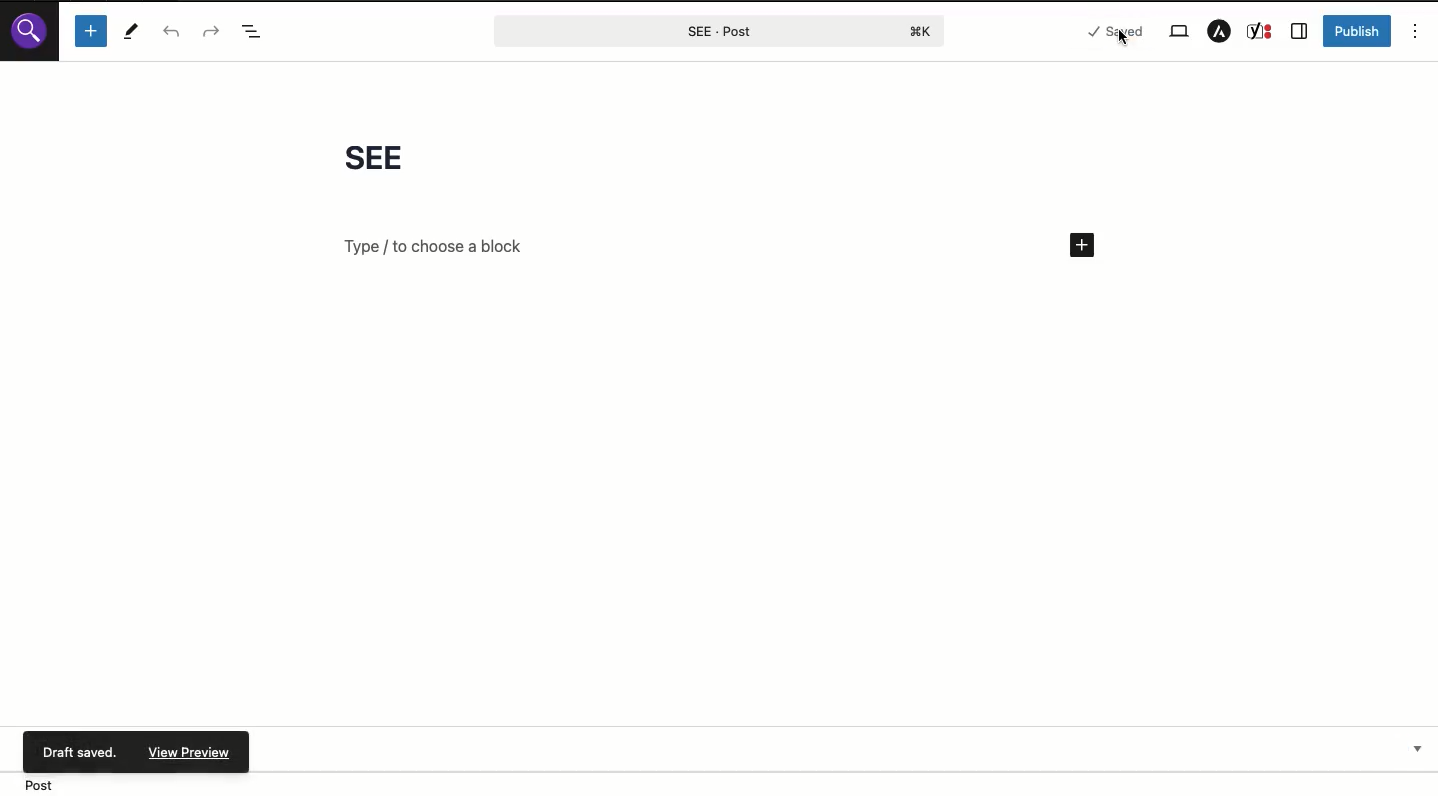 The image size is (1438, 796). I want to click on Draft saved, so click(82, 750).